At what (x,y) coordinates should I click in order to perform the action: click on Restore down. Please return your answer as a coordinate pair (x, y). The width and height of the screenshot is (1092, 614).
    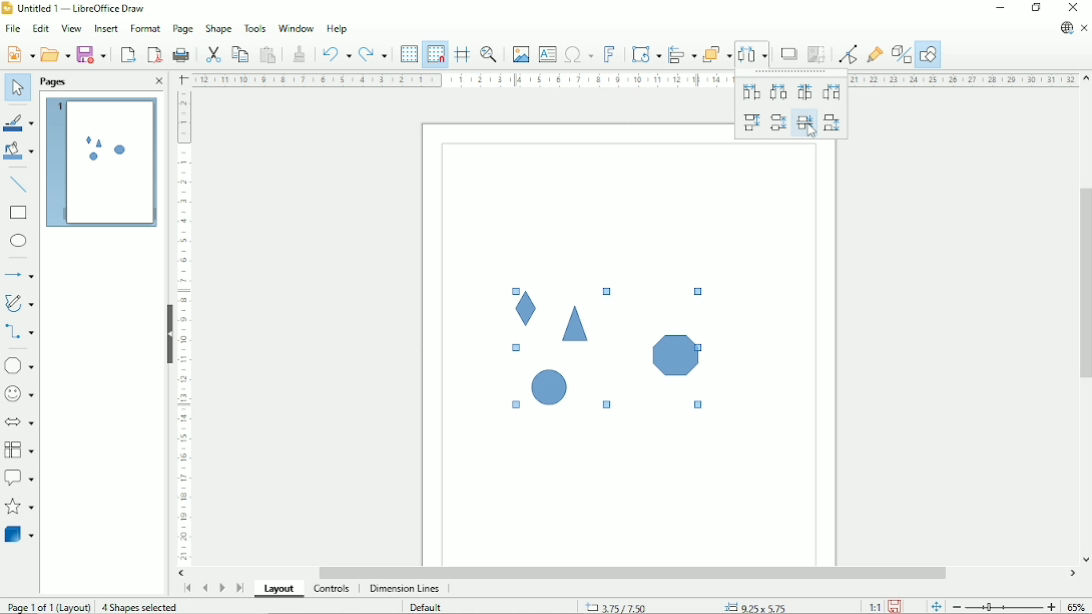
    Looking at the image, I should click on (1038, 9).